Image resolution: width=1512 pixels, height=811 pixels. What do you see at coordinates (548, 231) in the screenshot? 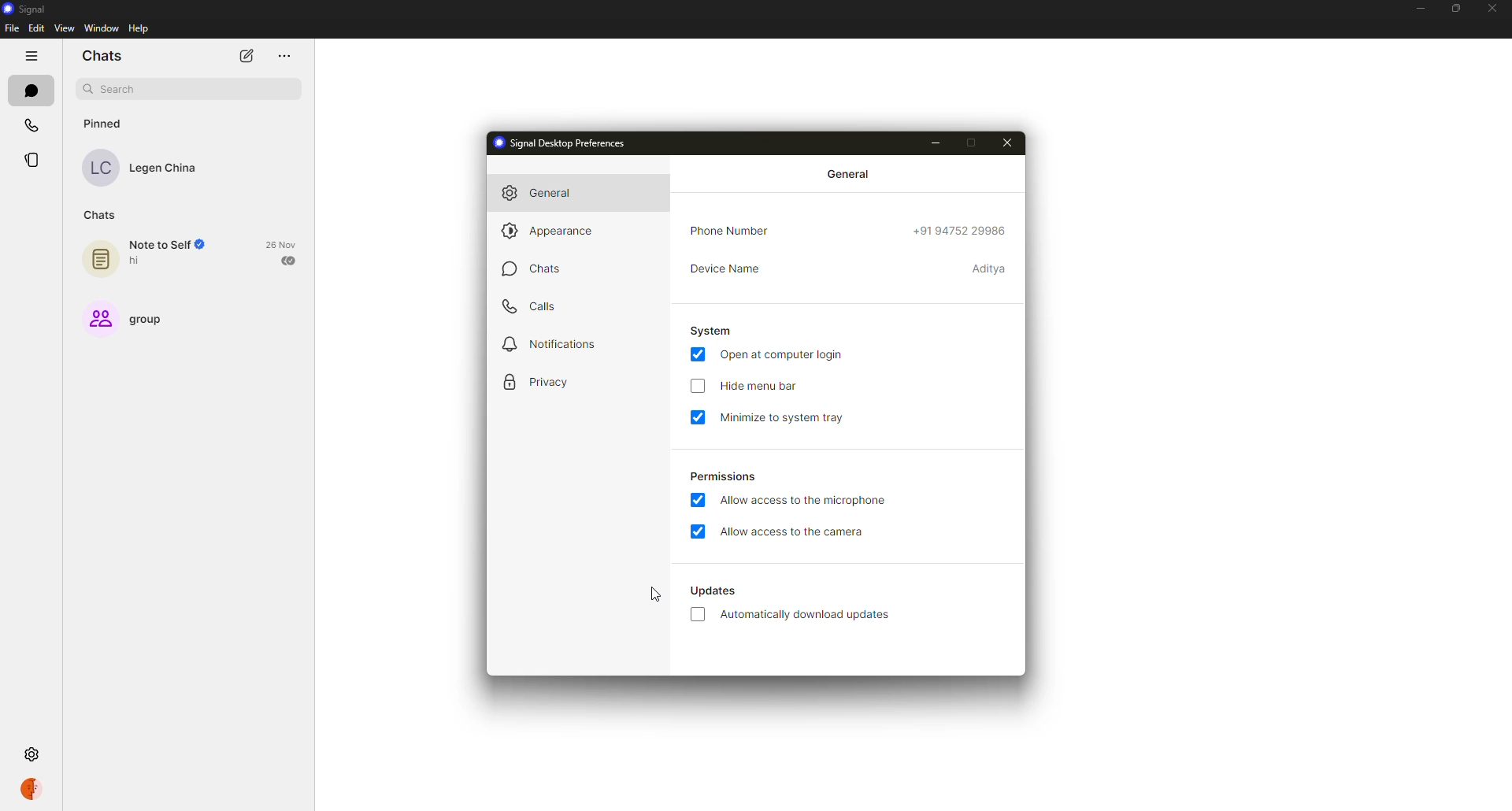
I see `appearance` at bounding box center [548, 231].